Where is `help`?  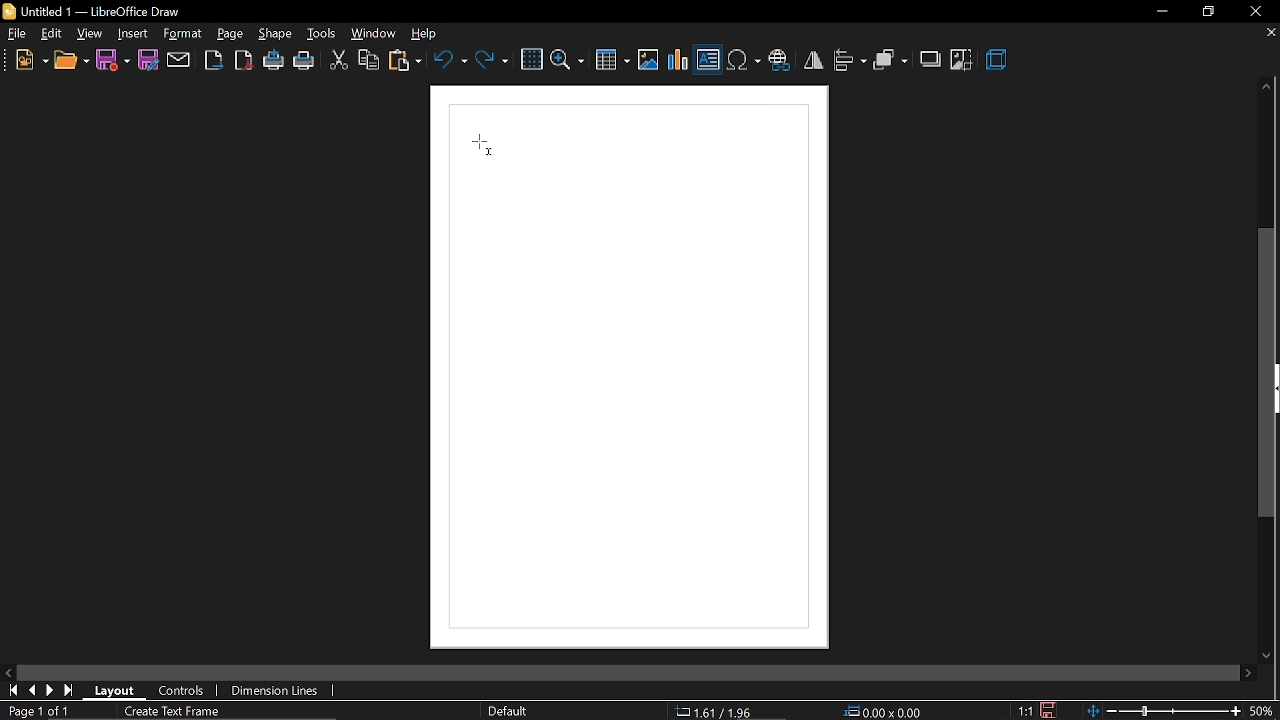 help is located at coordinates (429, 35).